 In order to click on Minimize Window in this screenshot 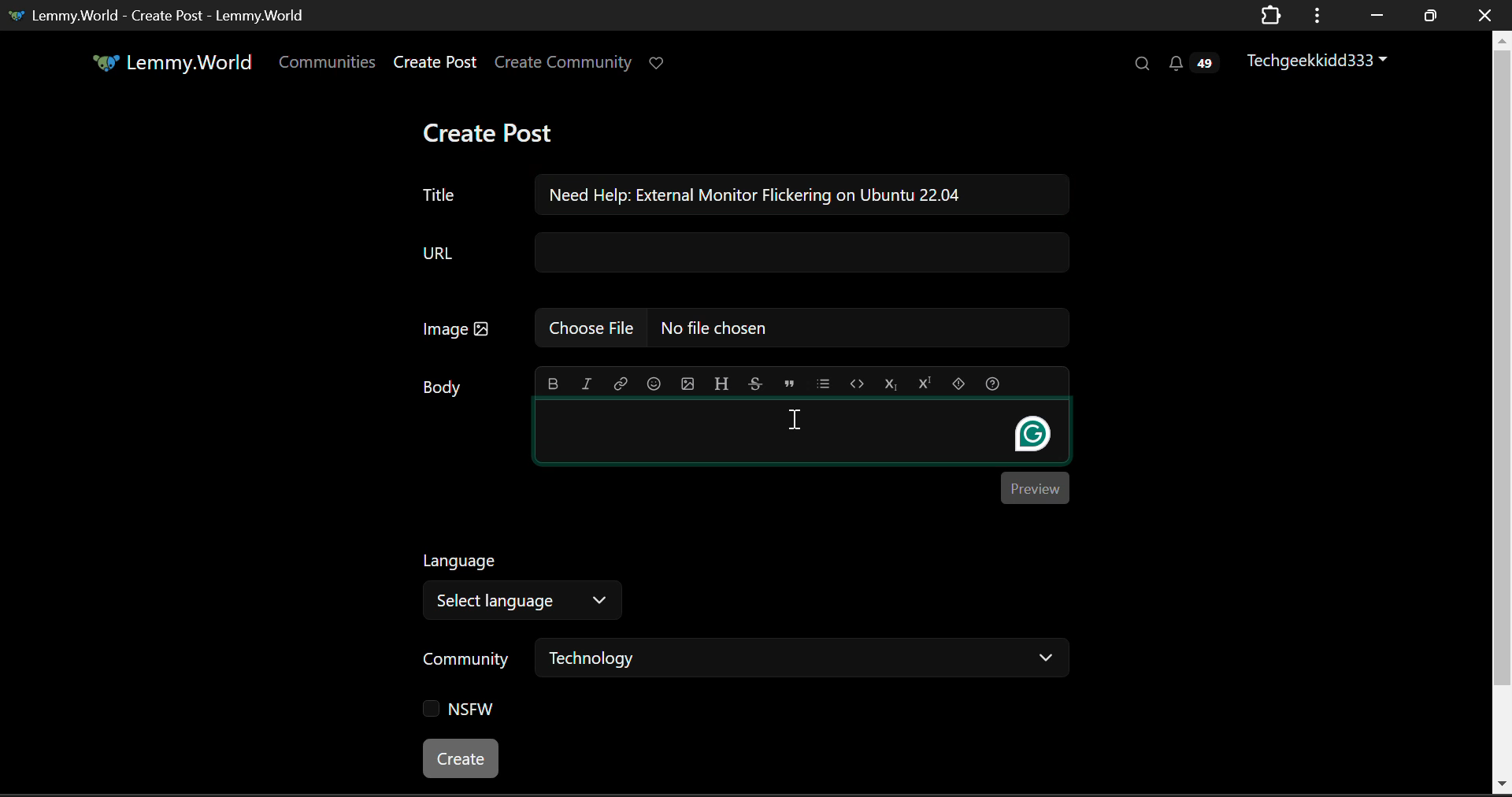, I will do `click(1428, 17)`.